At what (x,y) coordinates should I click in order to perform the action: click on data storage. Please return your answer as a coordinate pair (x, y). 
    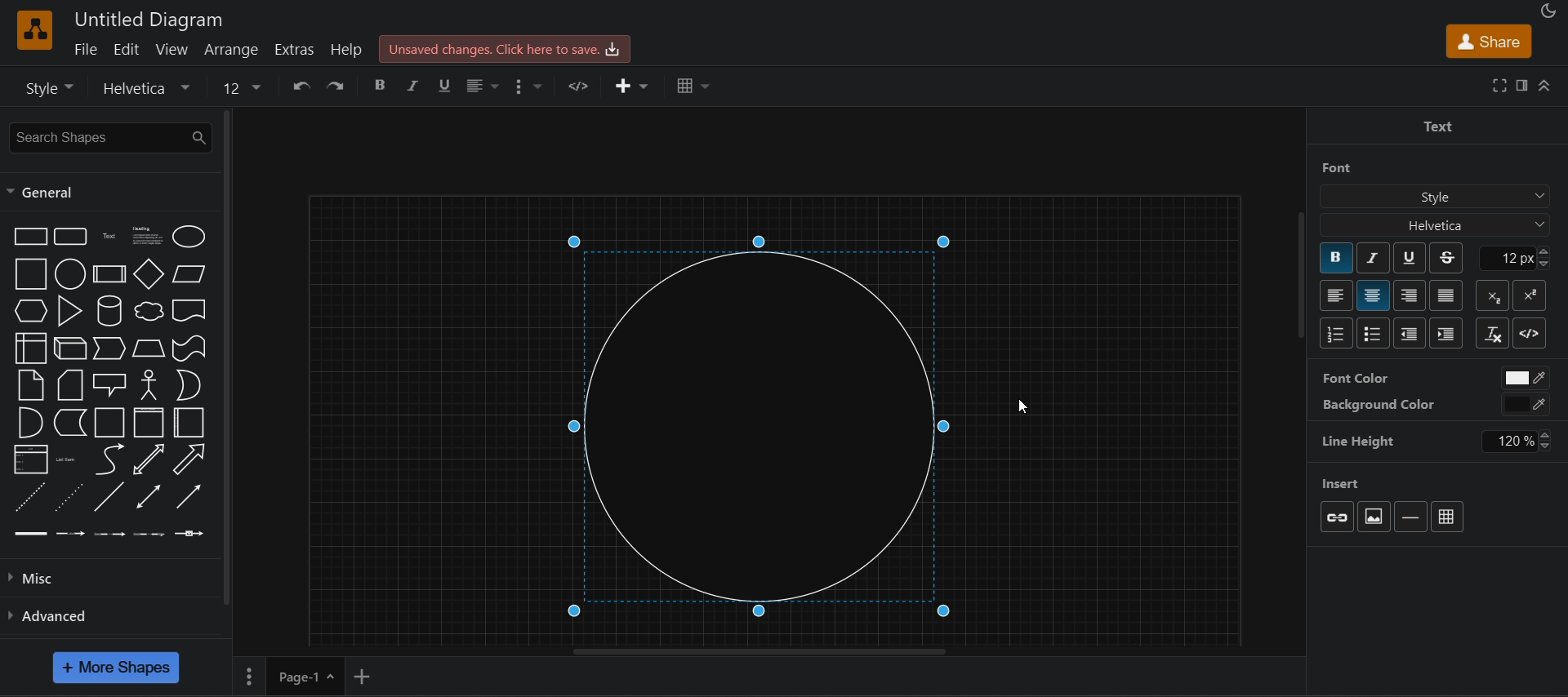
    Looking at the image, I should click on (72, 424).